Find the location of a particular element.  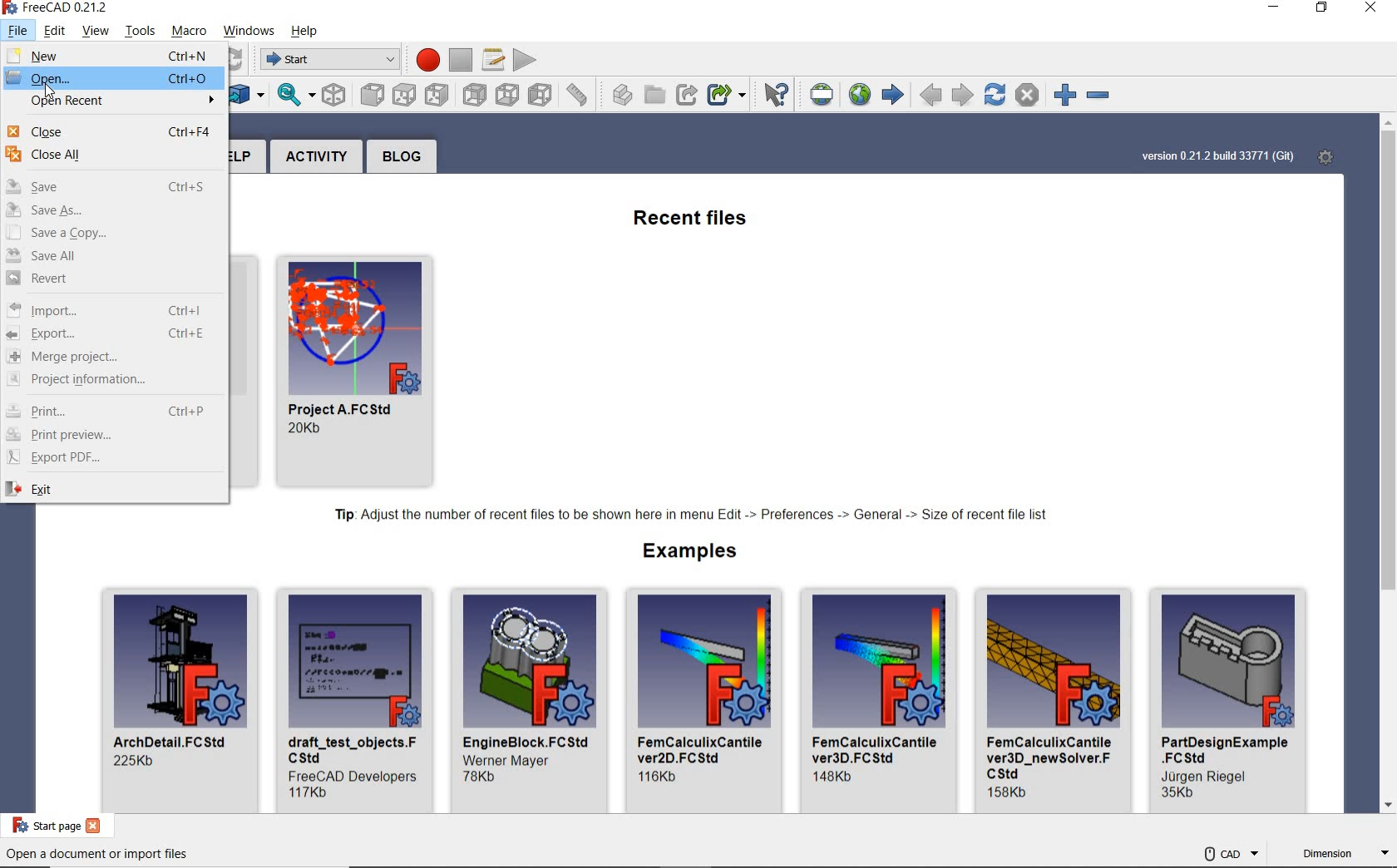

EXPORT PDF is located at coordinates (111, 457).